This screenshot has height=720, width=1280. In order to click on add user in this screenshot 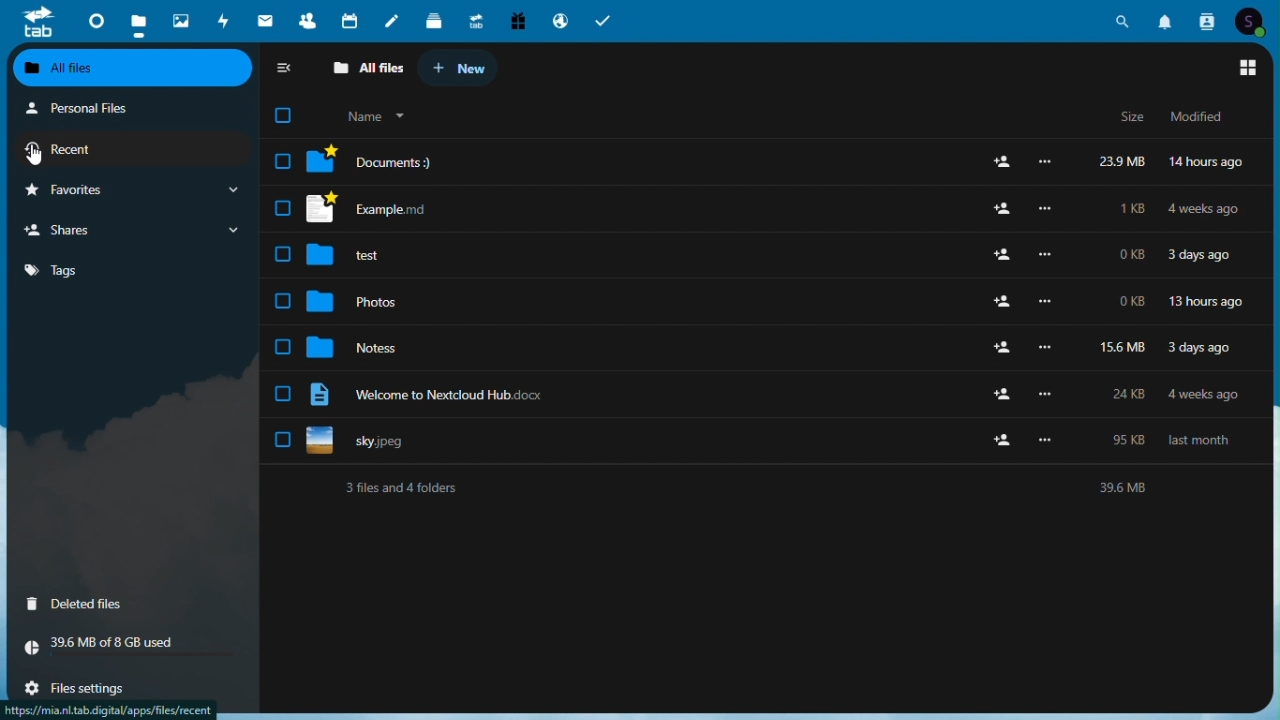, I will do `click(1006, 396)`.